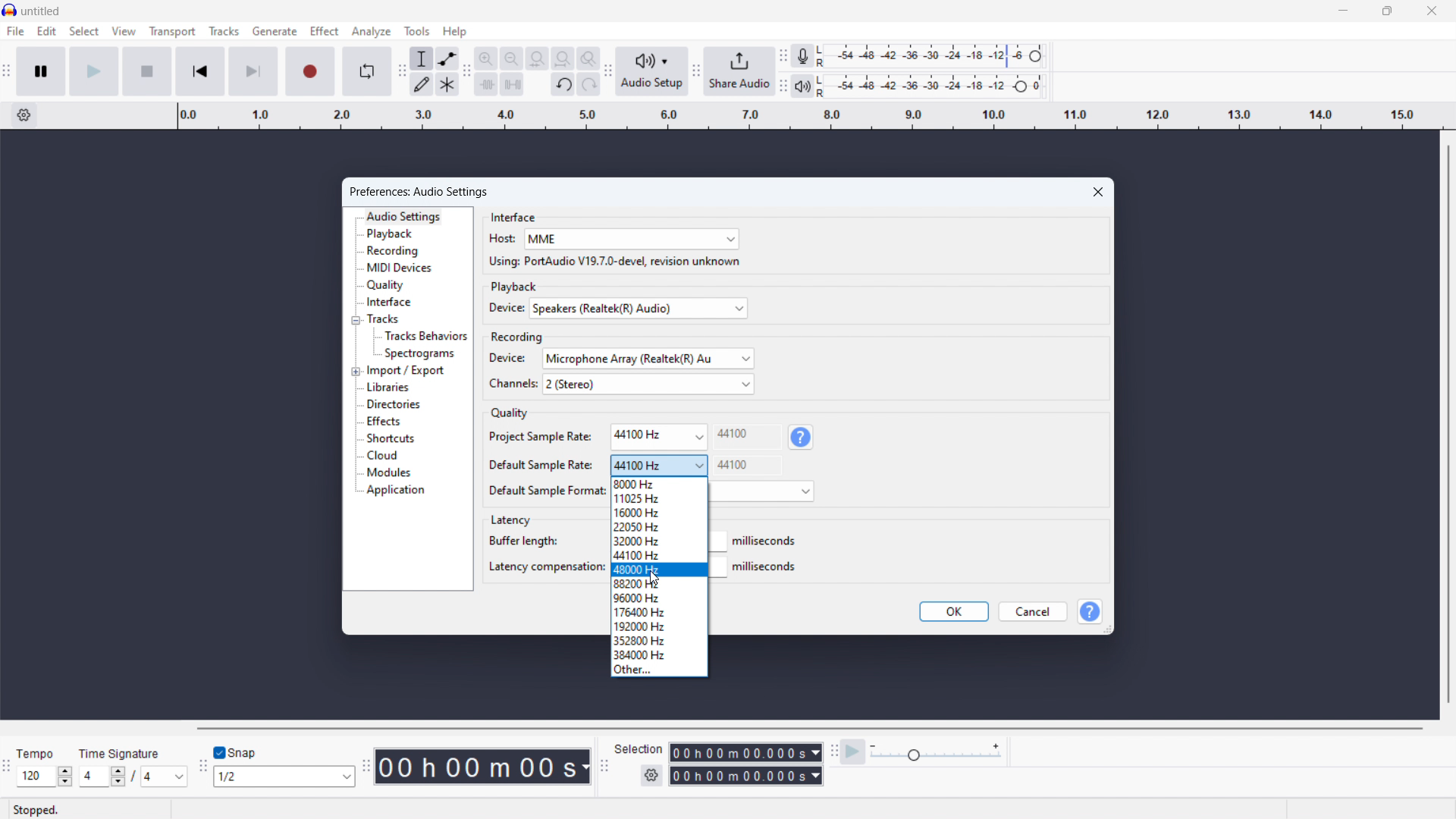 Image resolution: width=1456 pixels, height=819 pixels. Describe the element at coordinates (36, 754) in the screenshot. I see `Tempo` at that location.